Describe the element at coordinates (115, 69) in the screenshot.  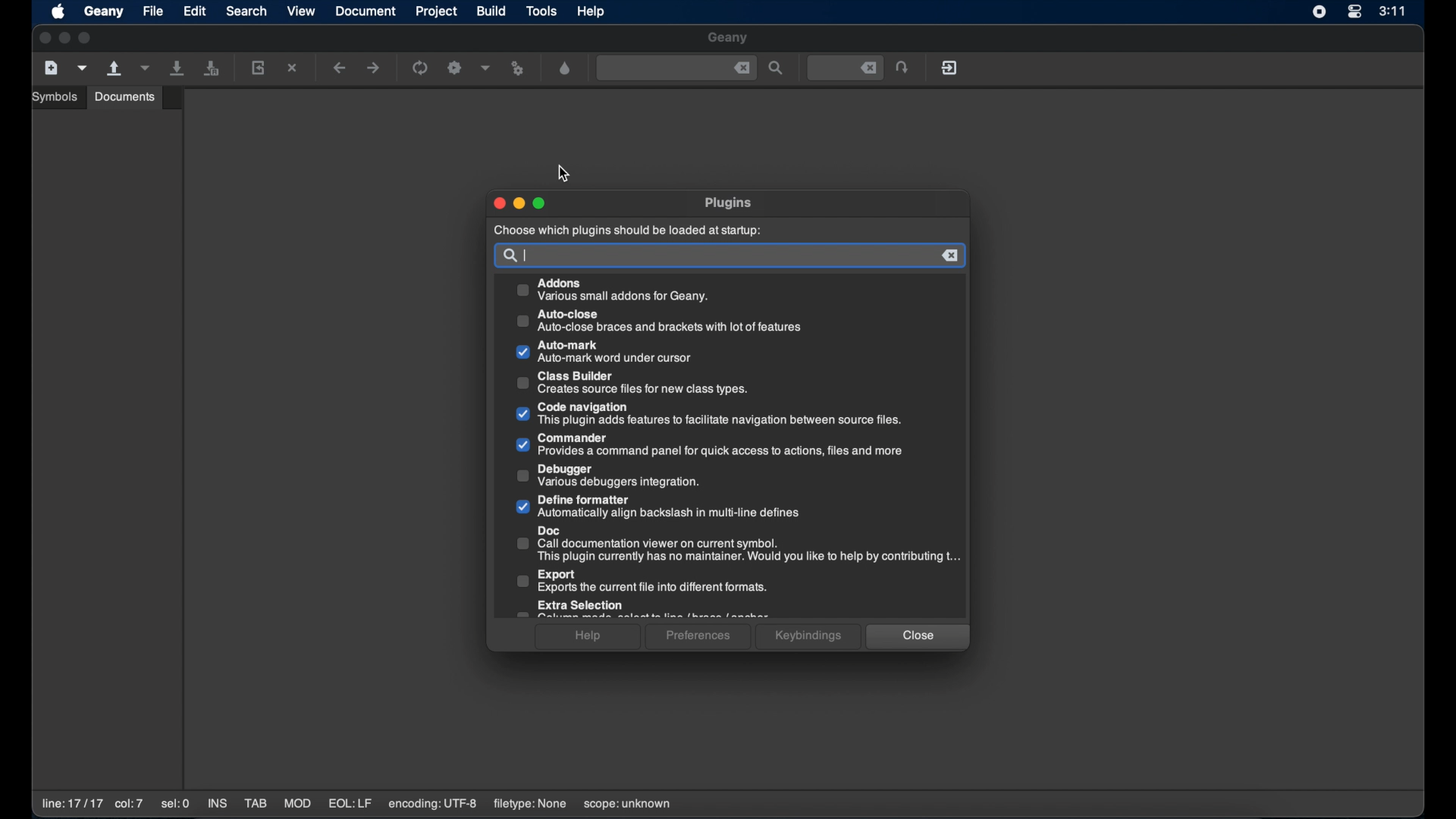
I see `open an existing file` at that location.